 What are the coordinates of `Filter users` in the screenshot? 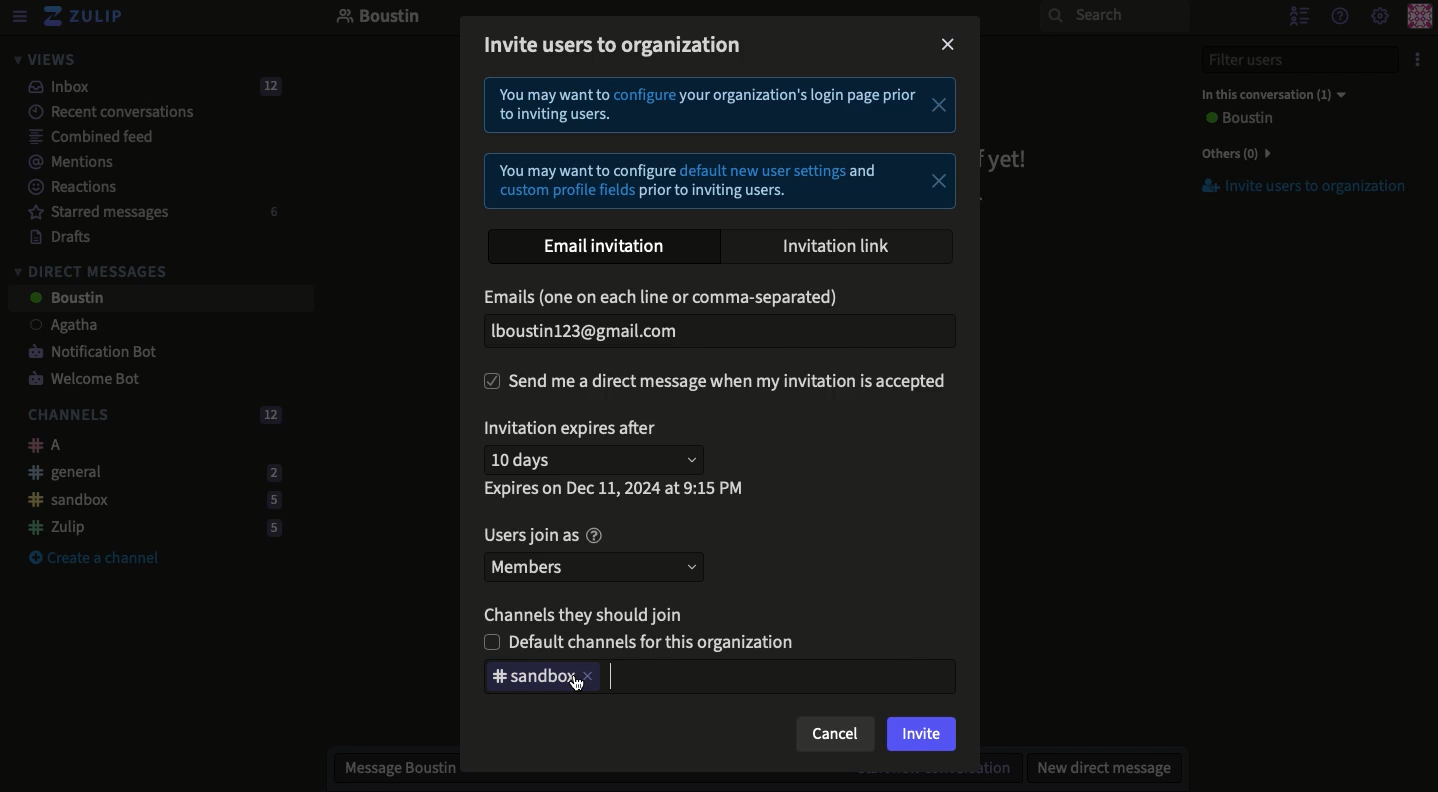 It's located at (1288, 60).